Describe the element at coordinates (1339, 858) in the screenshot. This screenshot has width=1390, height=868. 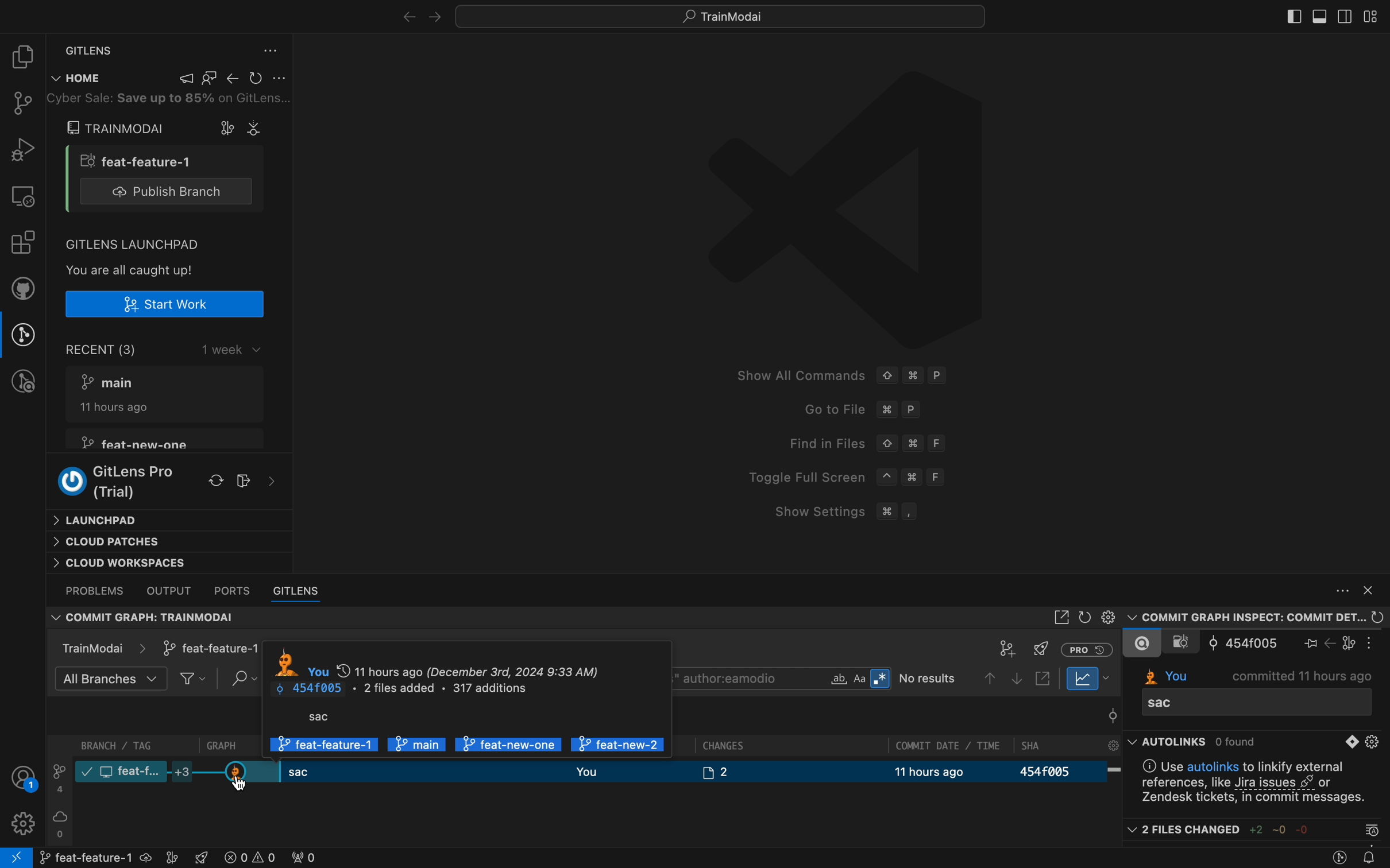
I see `gitlens` at that location.